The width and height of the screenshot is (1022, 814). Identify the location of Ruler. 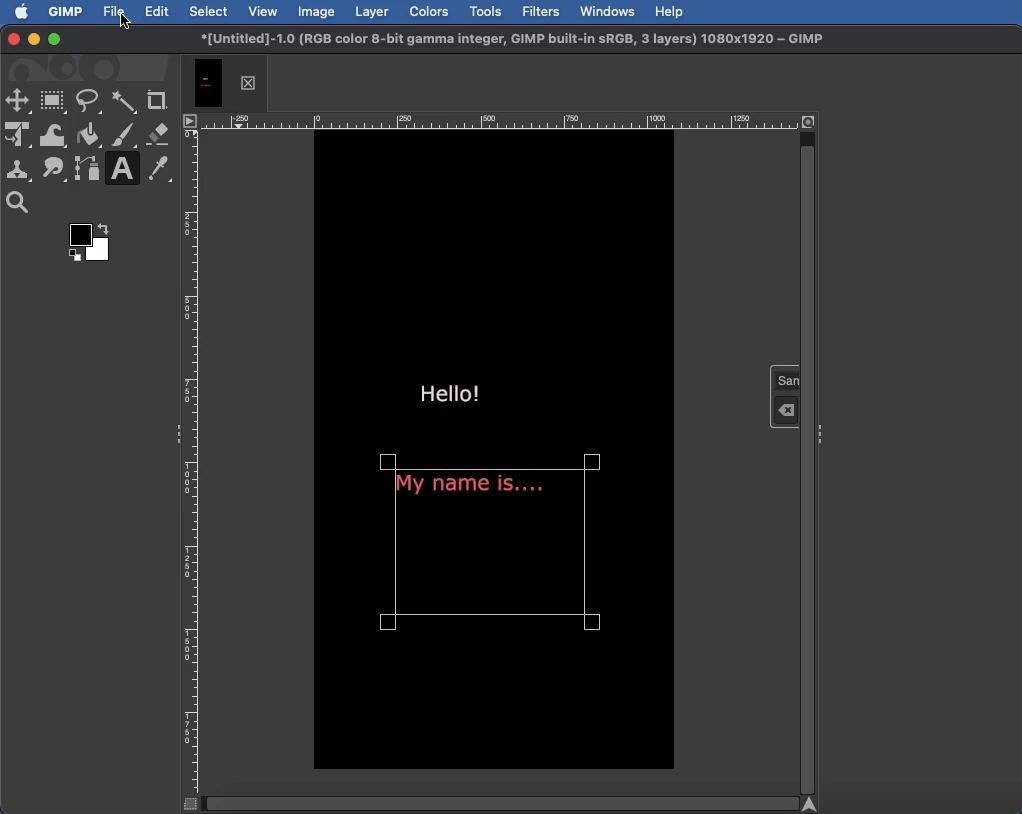
(192, 462).